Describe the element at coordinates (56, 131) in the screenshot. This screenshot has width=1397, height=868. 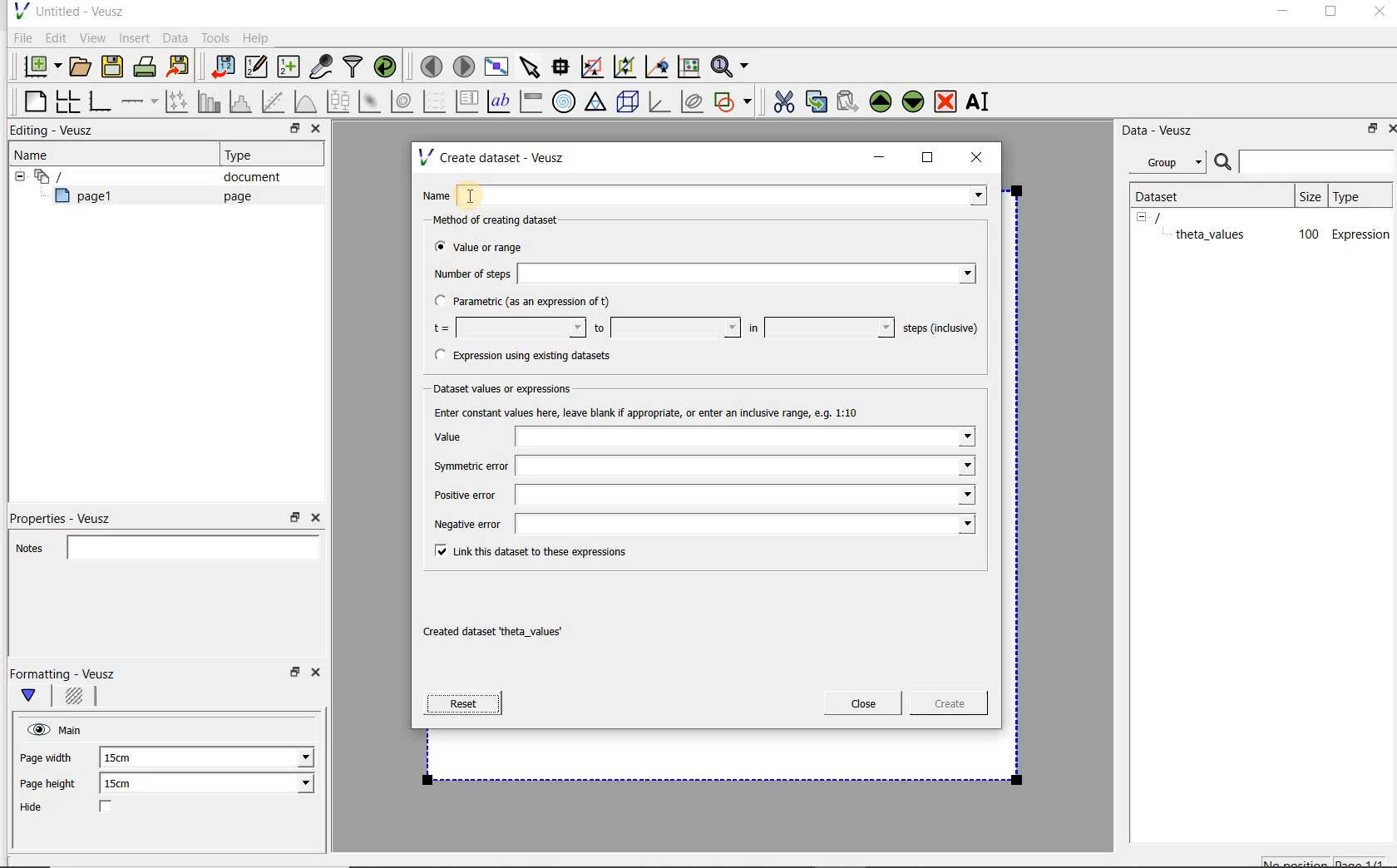
I see `Editing - Veusz` at that location.